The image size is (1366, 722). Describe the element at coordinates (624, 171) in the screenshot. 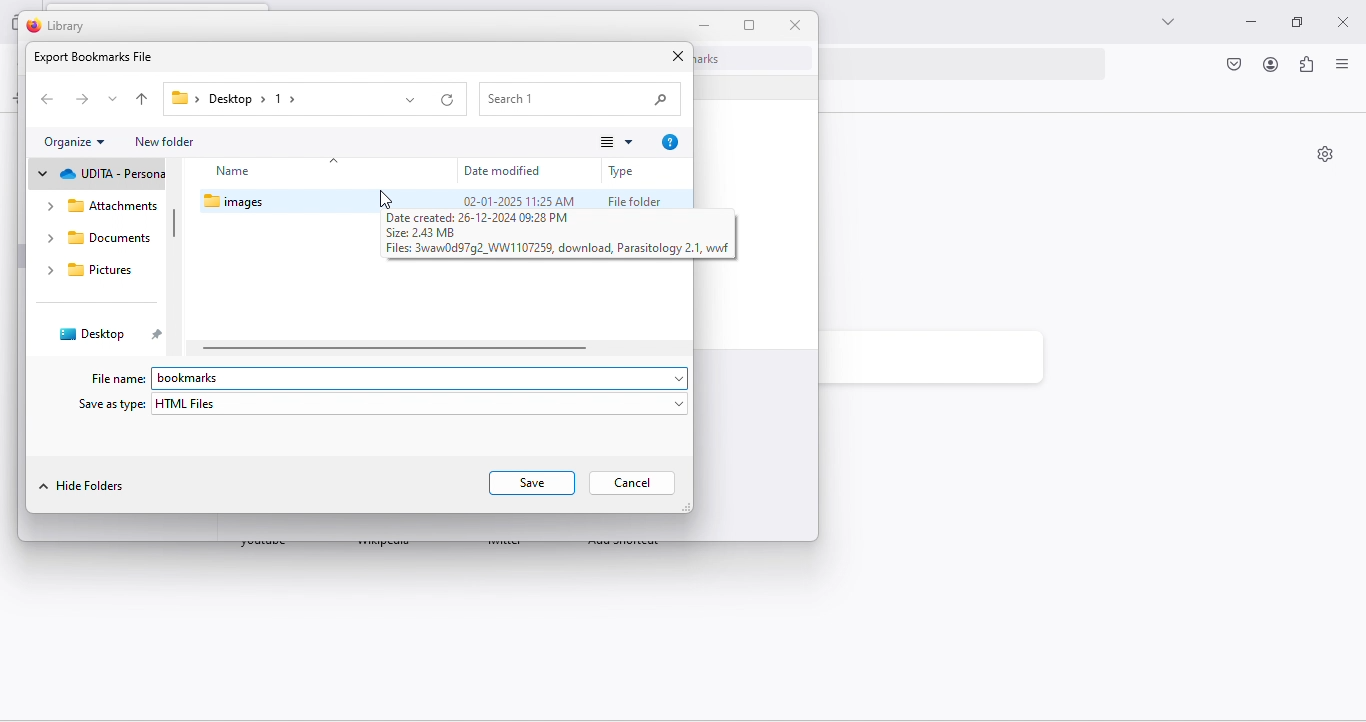

I see `type` at that location.